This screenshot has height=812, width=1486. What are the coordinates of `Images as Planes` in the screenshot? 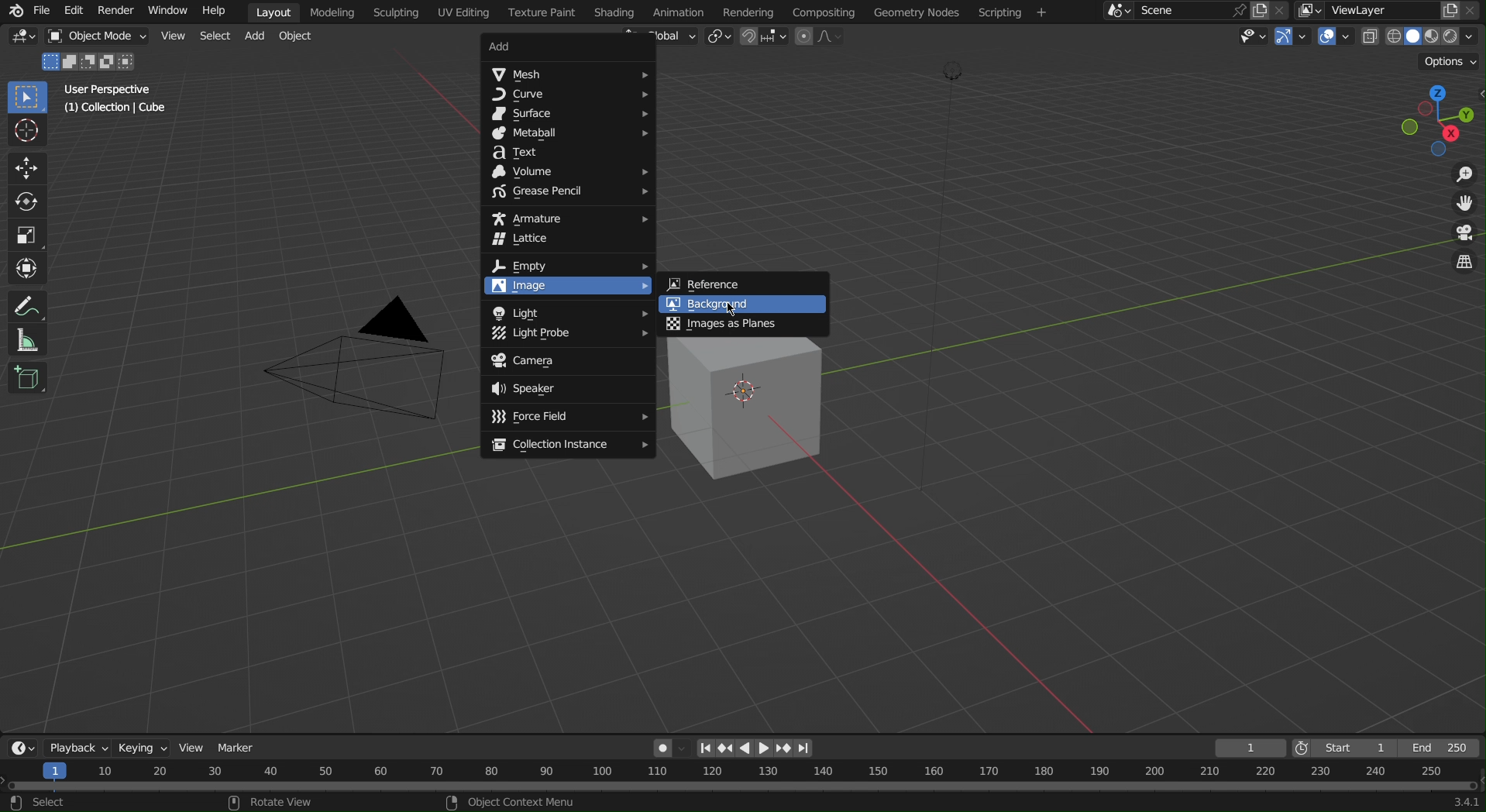 It's located at (745, 324).